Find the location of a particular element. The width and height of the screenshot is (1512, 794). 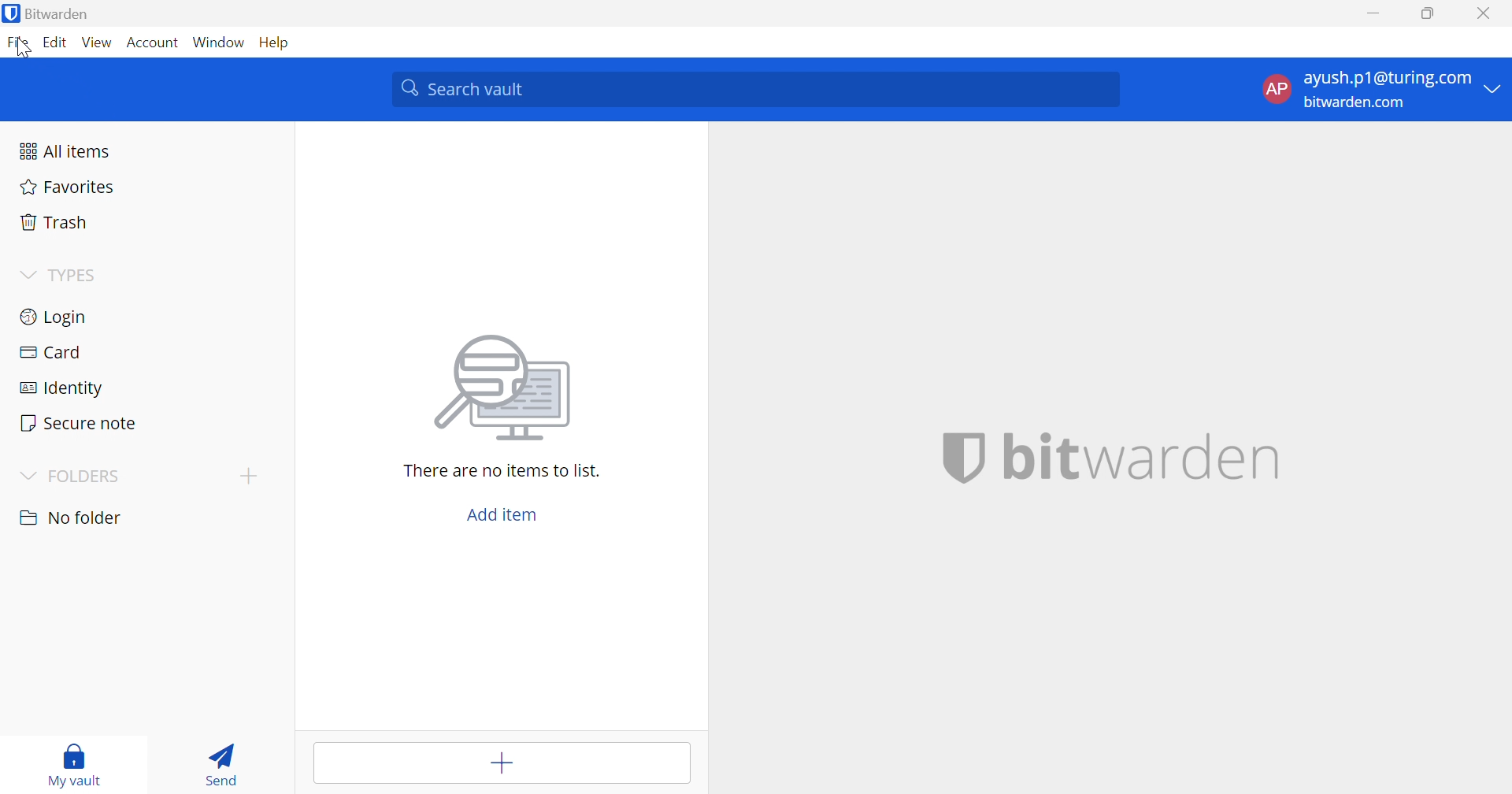

Close is located at coordinates (1485, 14).